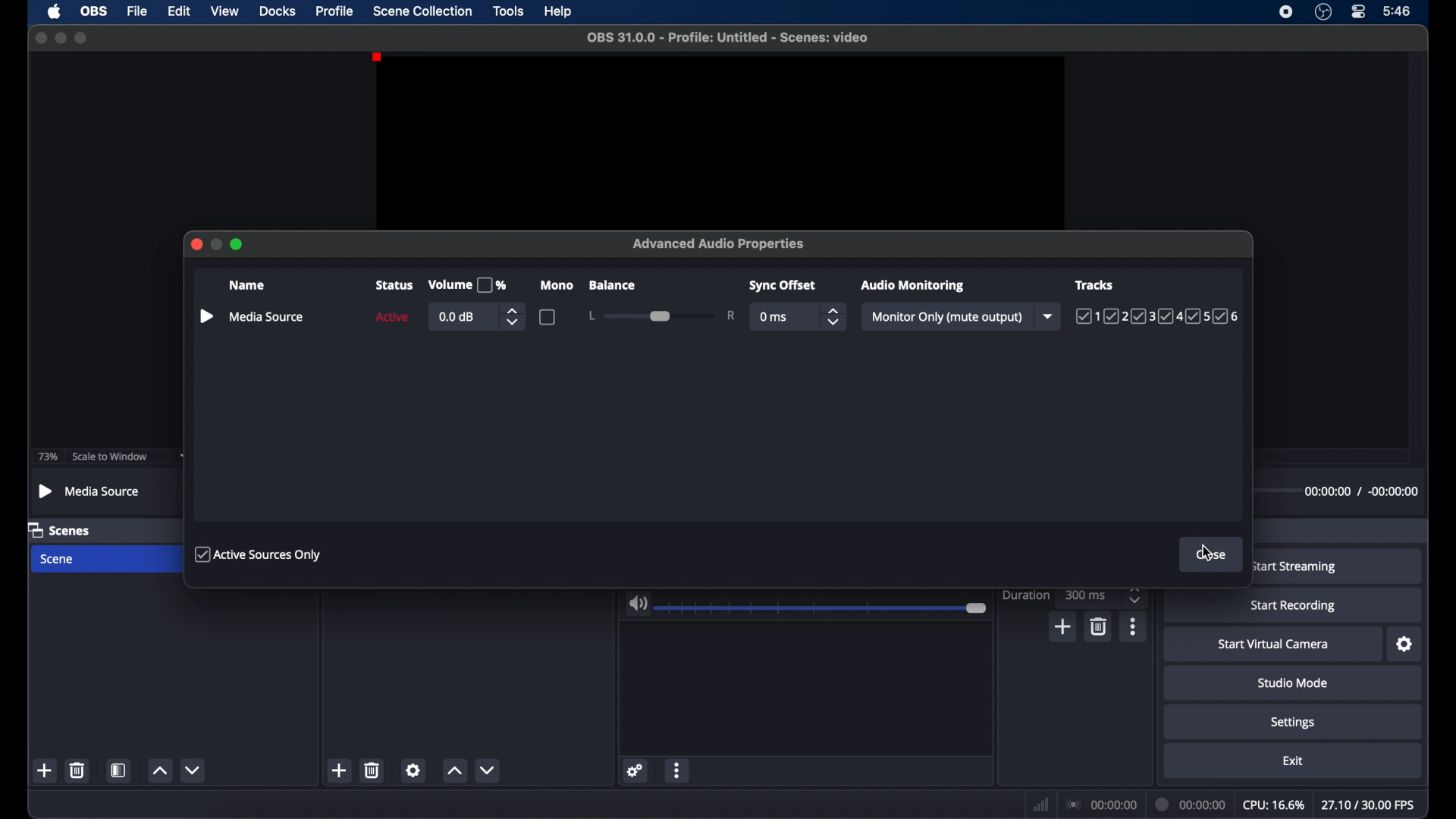  Describe the element at coordinates (661, 315) in the screenshot. I see `slider` at that location.